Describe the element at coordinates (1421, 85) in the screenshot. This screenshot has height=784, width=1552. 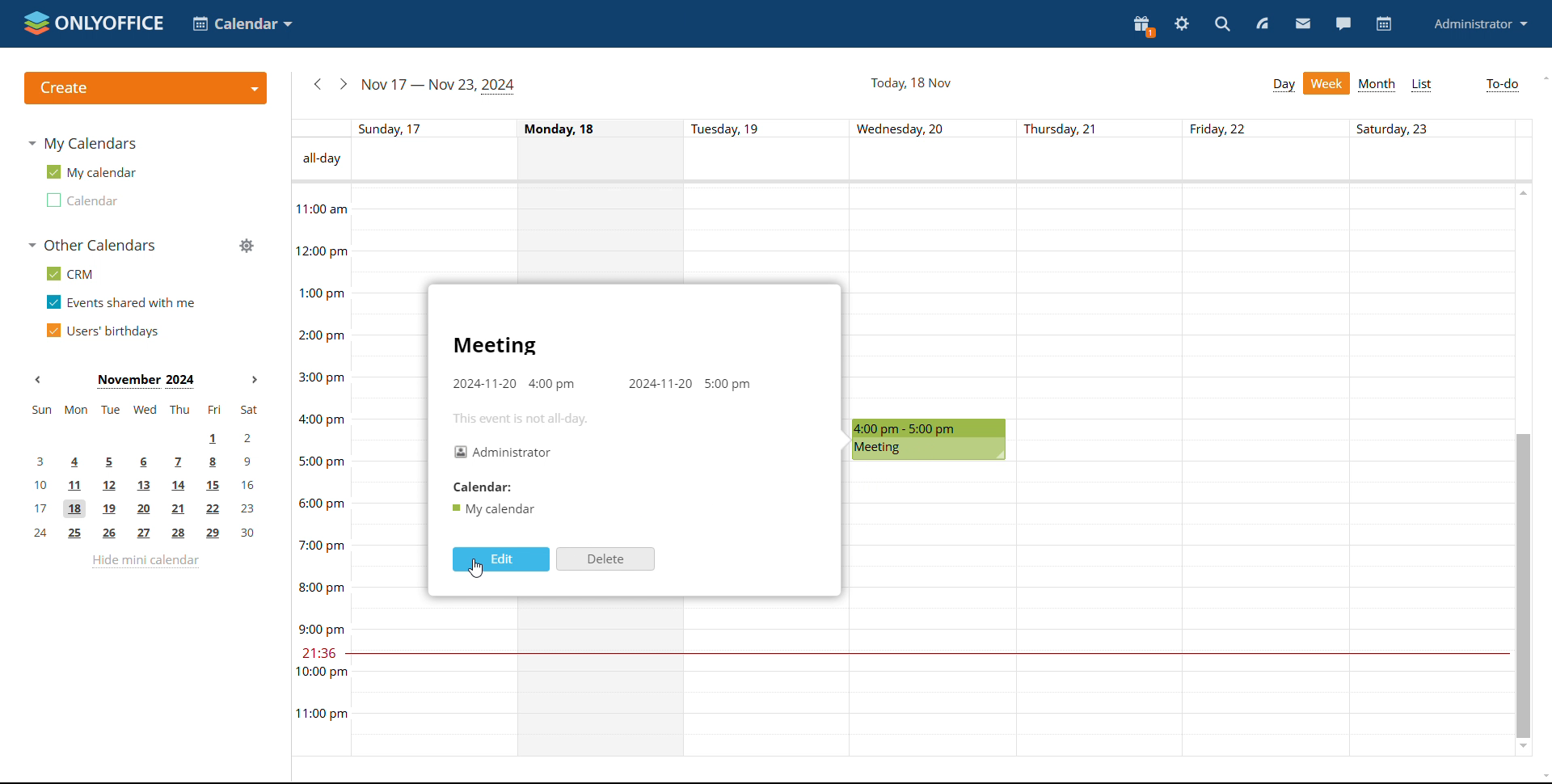
I see `list view` at that location.